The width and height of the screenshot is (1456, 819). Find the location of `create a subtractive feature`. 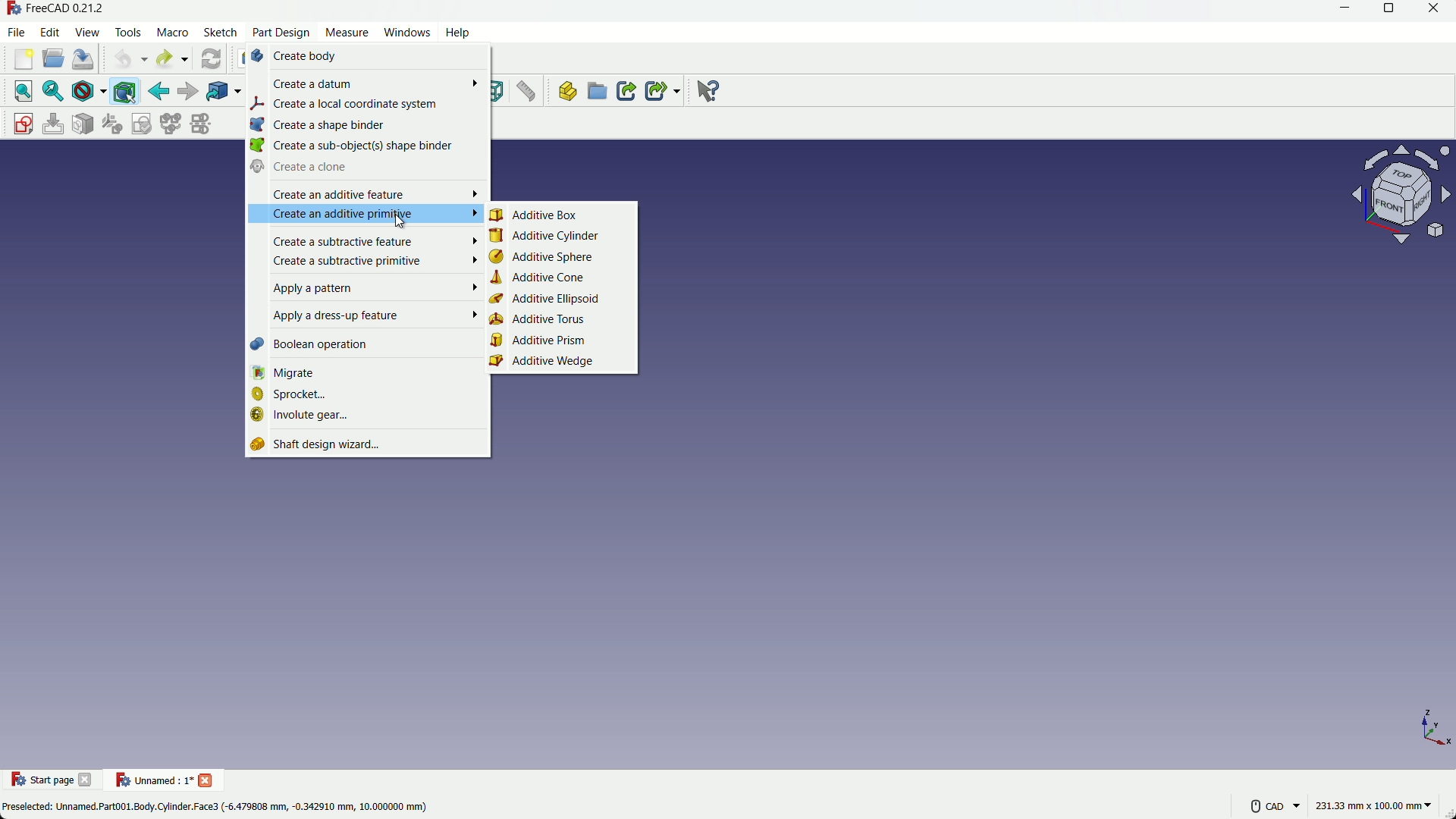

create a subtractive feature is located at coordinates (362, 240).